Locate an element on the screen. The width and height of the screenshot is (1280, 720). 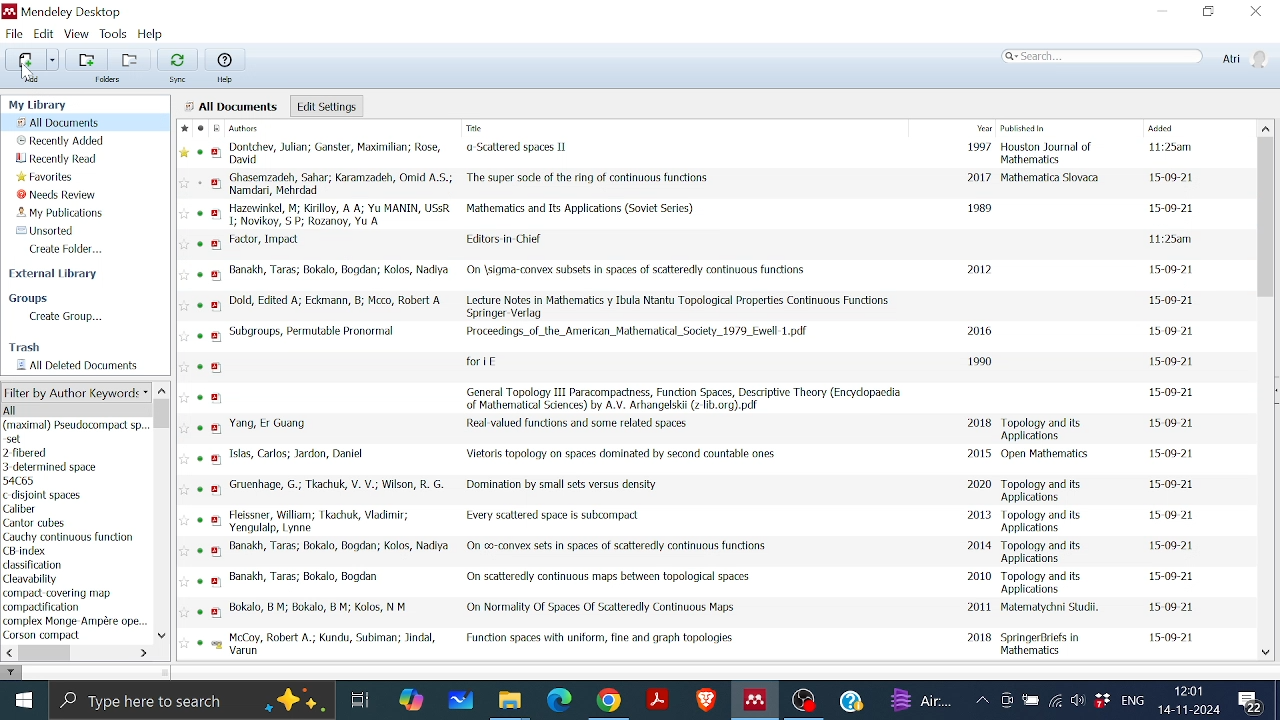
Add is located at coordinates (24, 60).